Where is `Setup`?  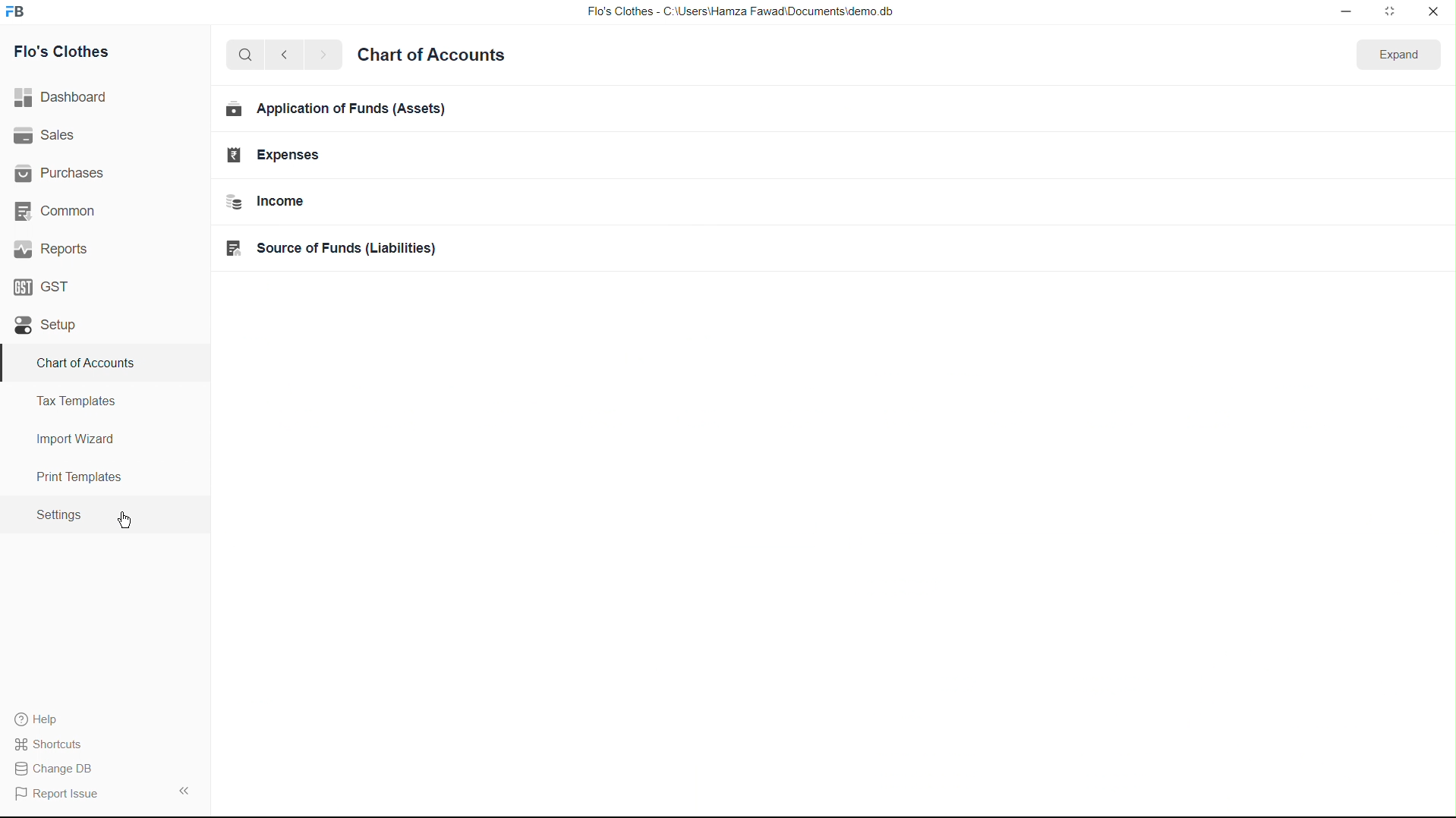
Setup is located at coordinates (49, 326).